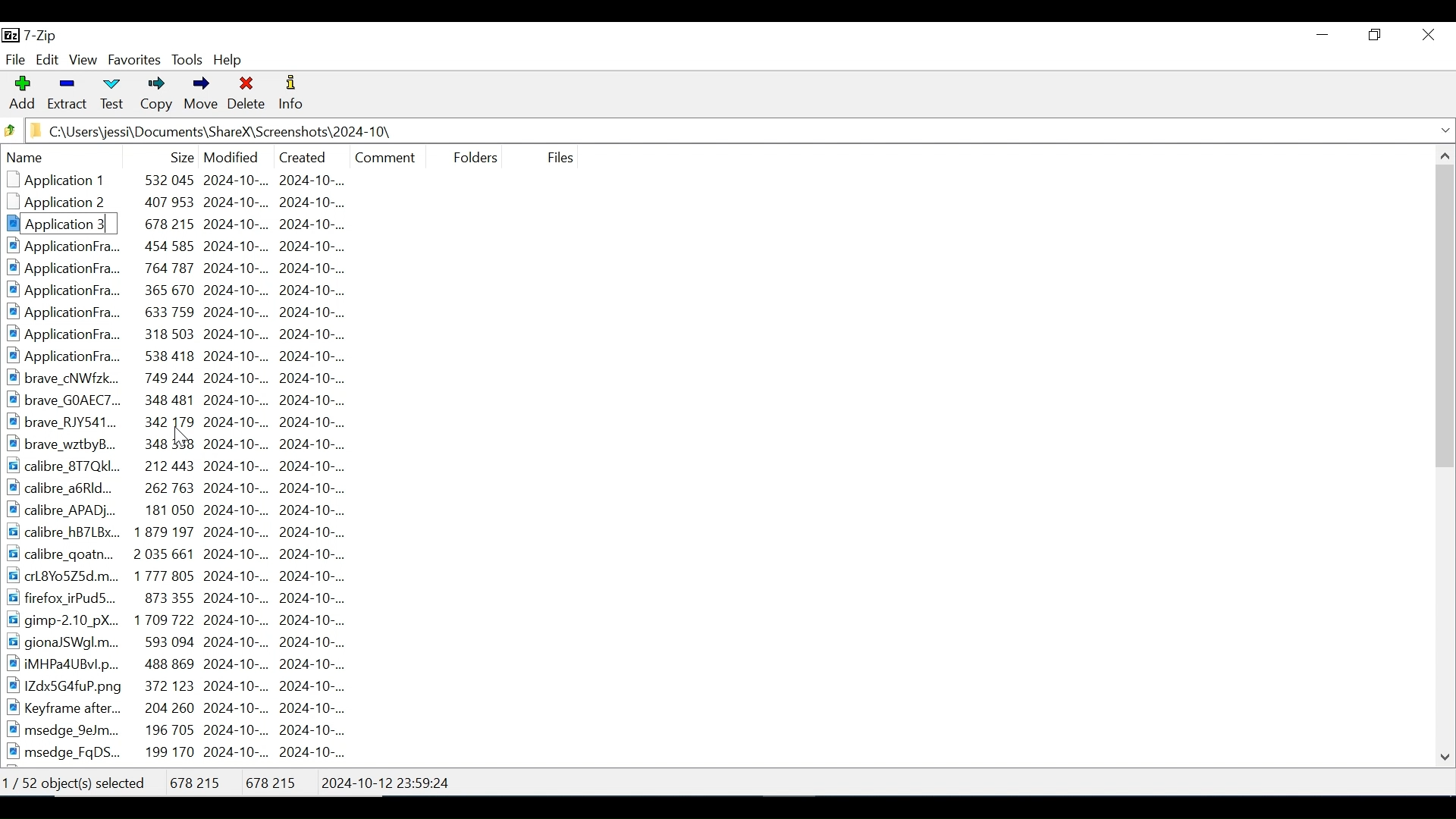 Image resolution: width=1456 pixels, height=819 pixels. What do you see at coordinates (133, 60) in the screenshot?
I see `Favorites` at bounding box center [133, 60].